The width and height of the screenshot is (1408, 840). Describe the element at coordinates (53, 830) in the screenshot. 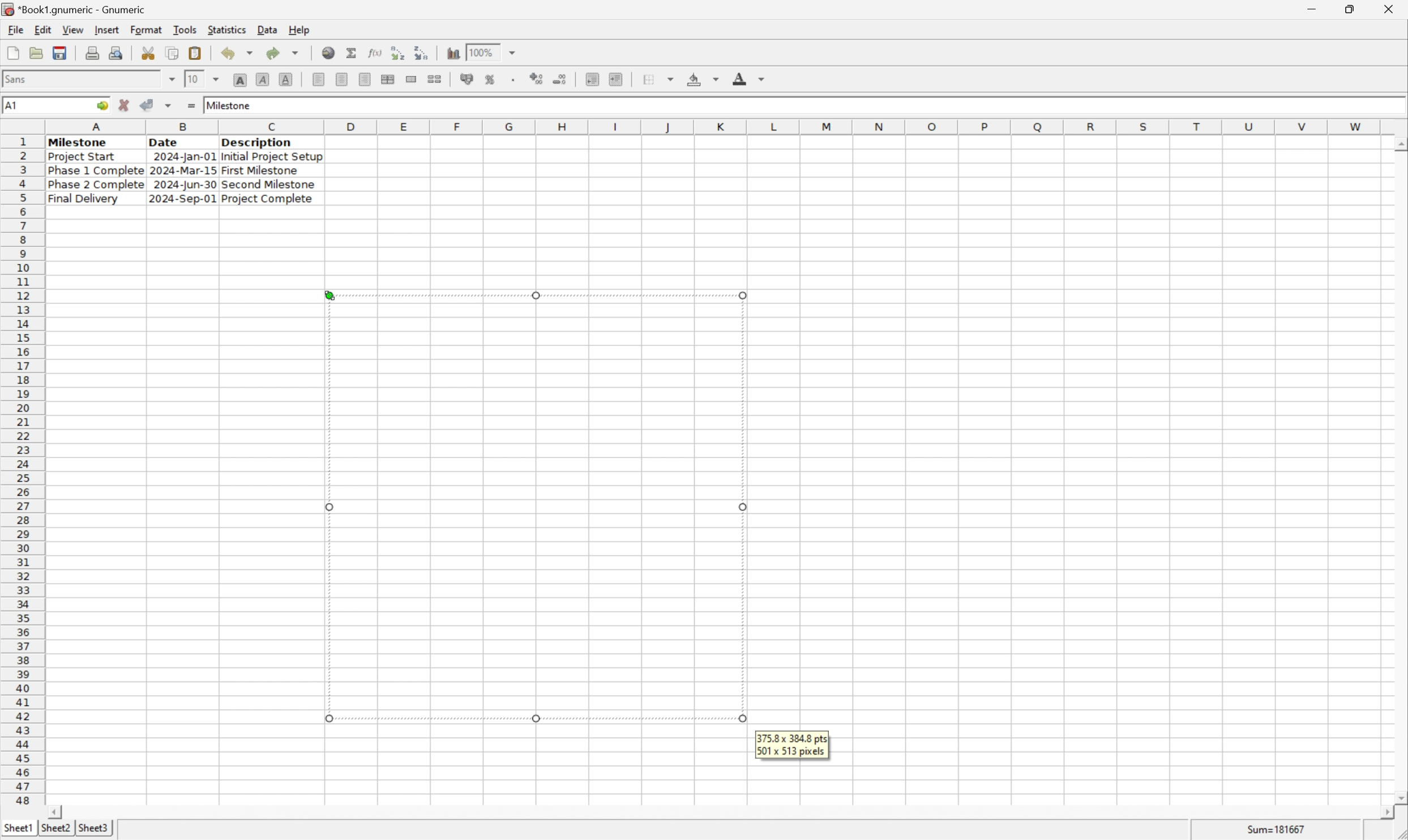

I see `sheet2` at that location.